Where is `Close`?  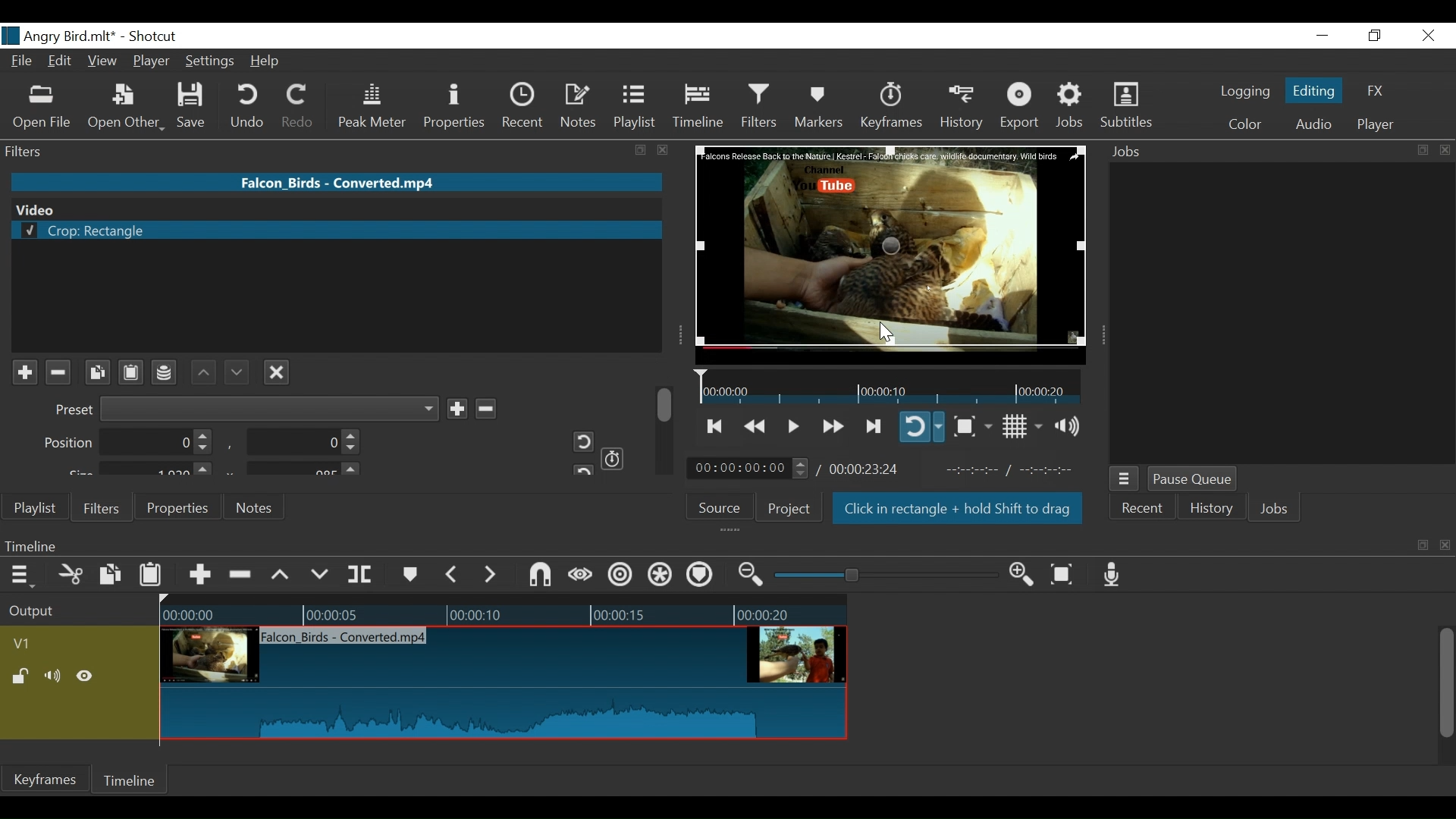
Close is located at coordinates (1426, 36).